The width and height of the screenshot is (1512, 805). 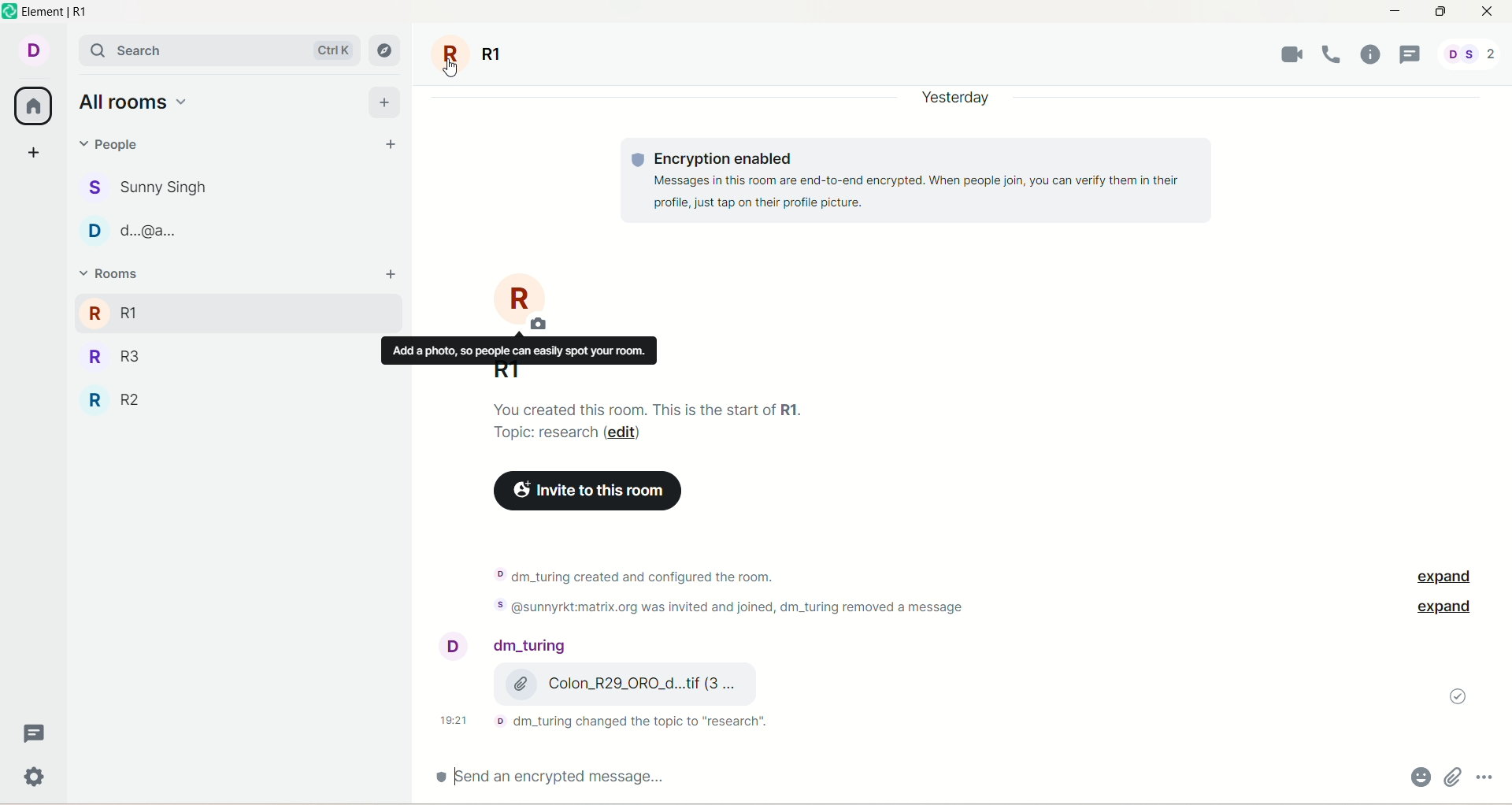 I want to click on text, so click(x=601, y=699).